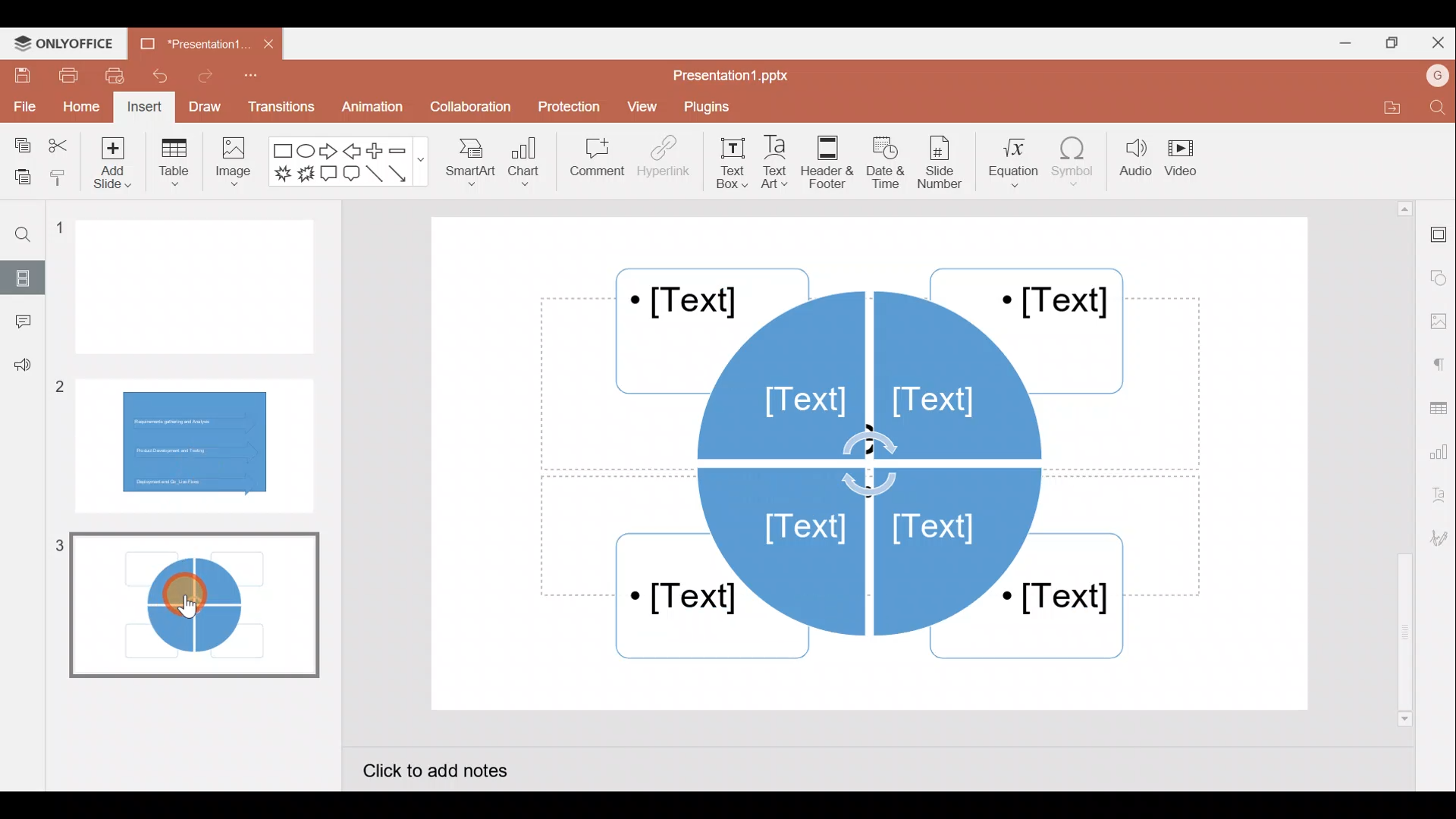  Describe the element at coordinates (174, 165) in the screenshot. I see `Table` at that location.